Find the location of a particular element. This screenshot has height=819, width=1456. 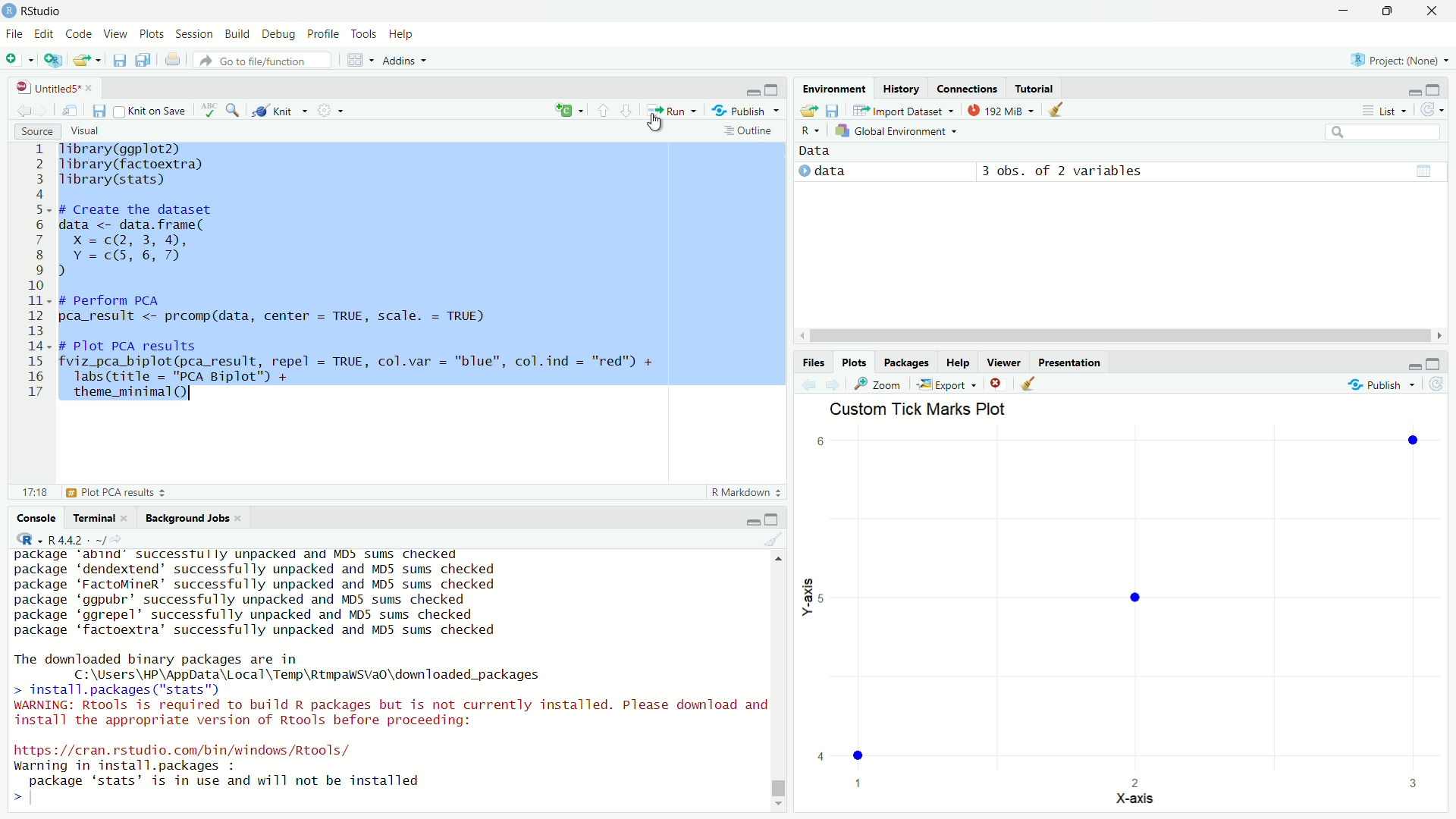

tutorial is located at coordinates (1034, 88).